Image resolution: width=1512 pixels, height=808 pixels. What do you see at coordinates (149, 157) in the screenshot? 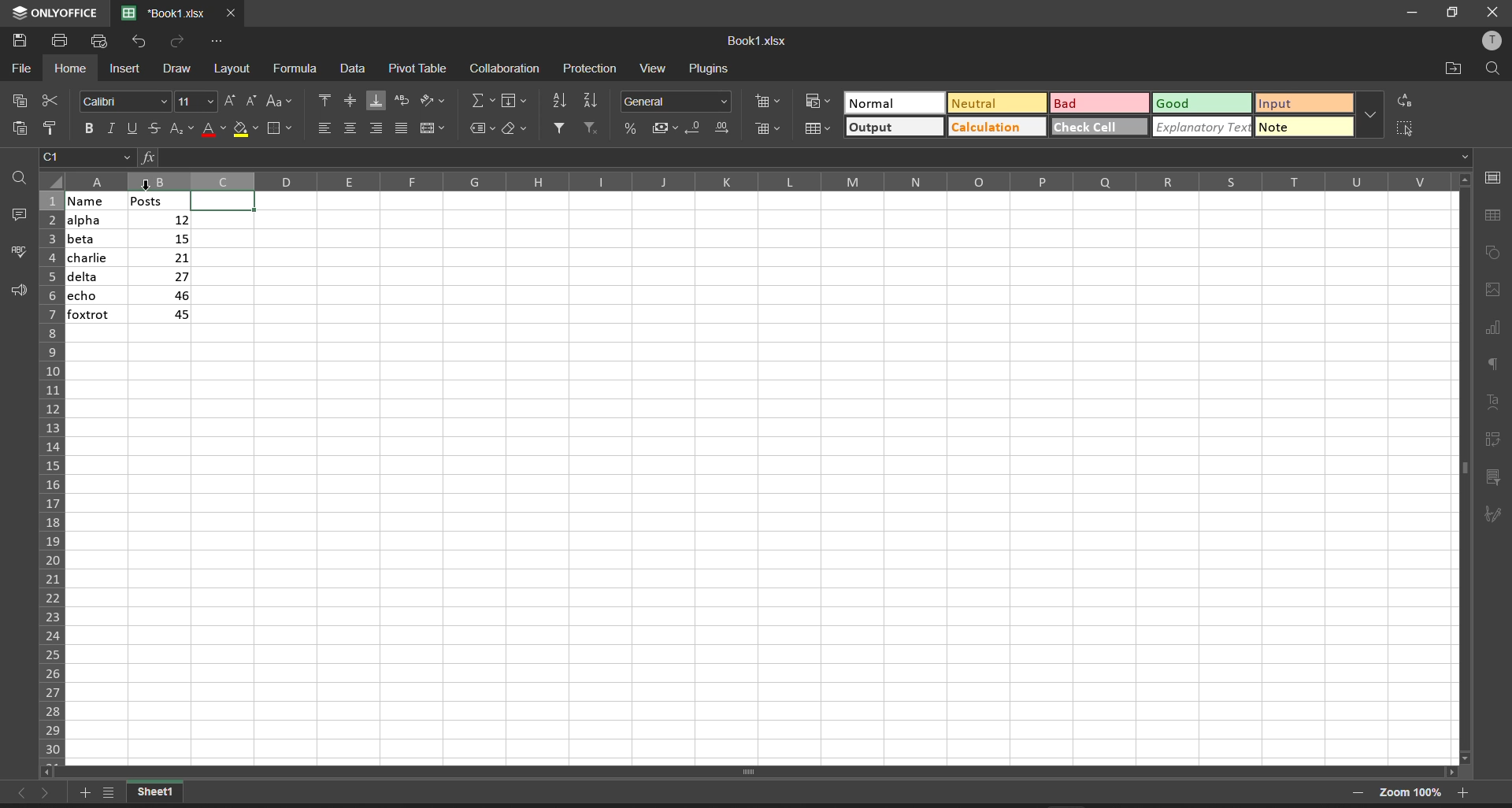
I see `formula` at bounding box center [149, 157].